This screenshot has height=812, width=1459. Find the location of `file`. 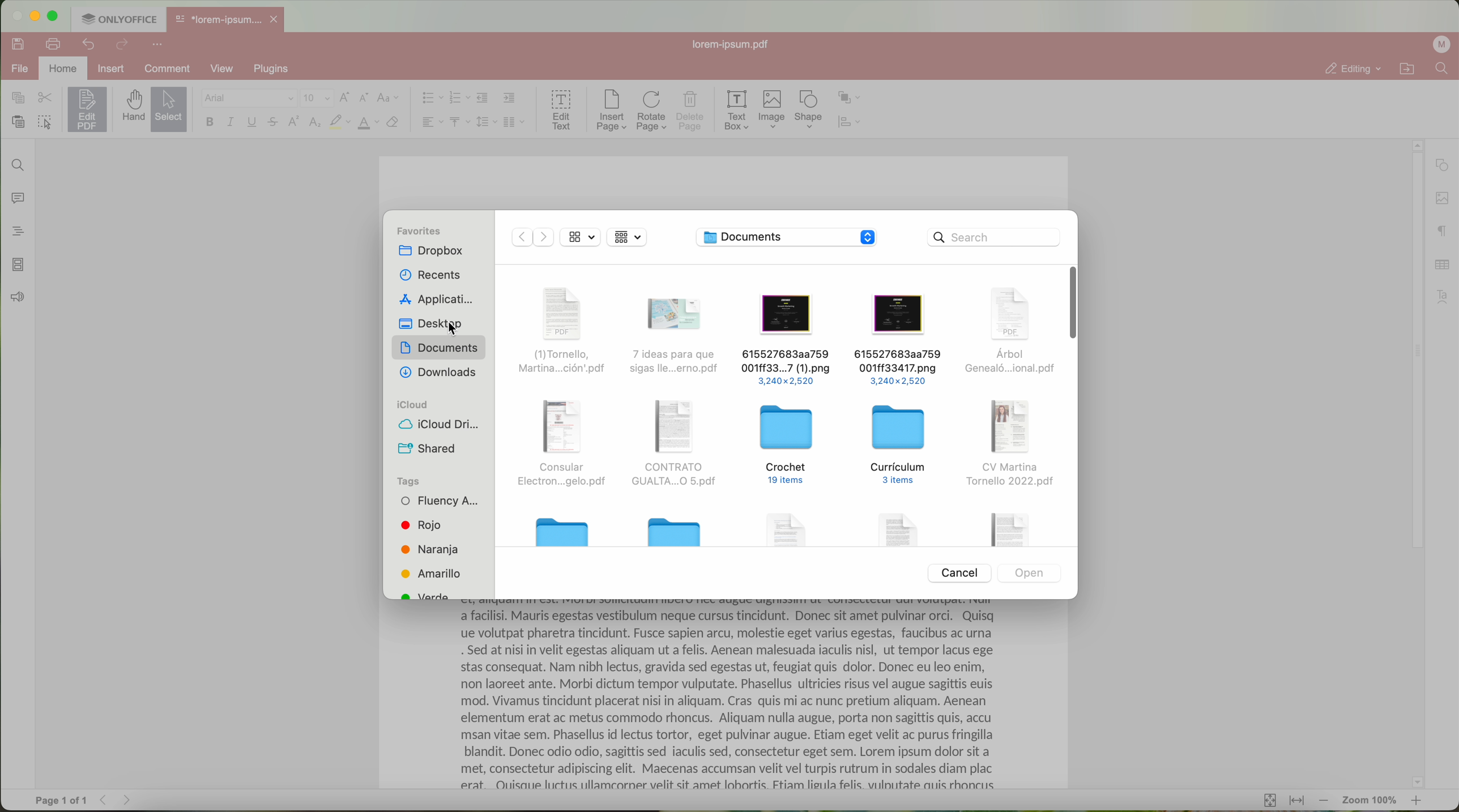

file is located at coordinates (791, 527).